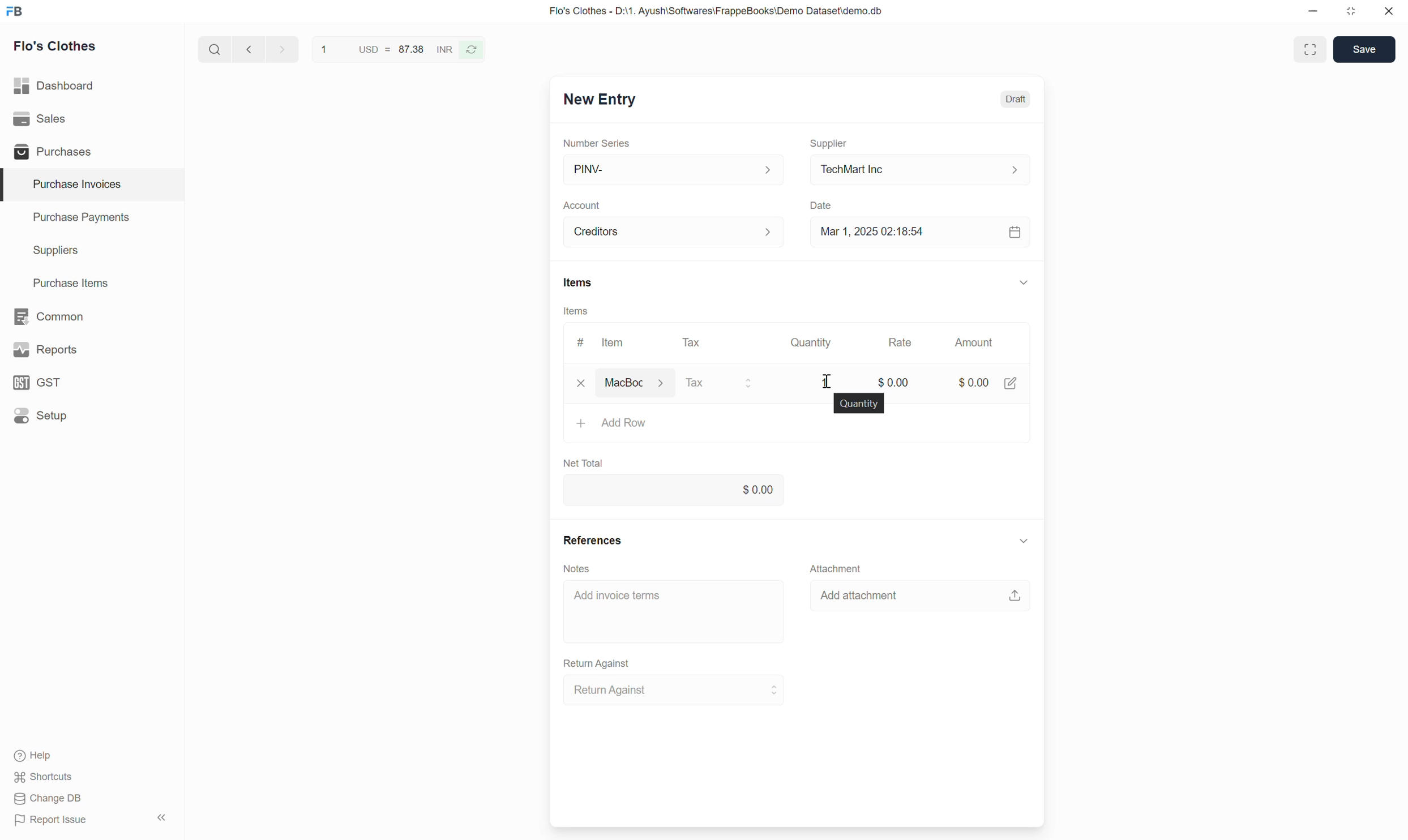 The height and width of the screenshot is (840, 1408). I want to click on Items, so click(576, 311).